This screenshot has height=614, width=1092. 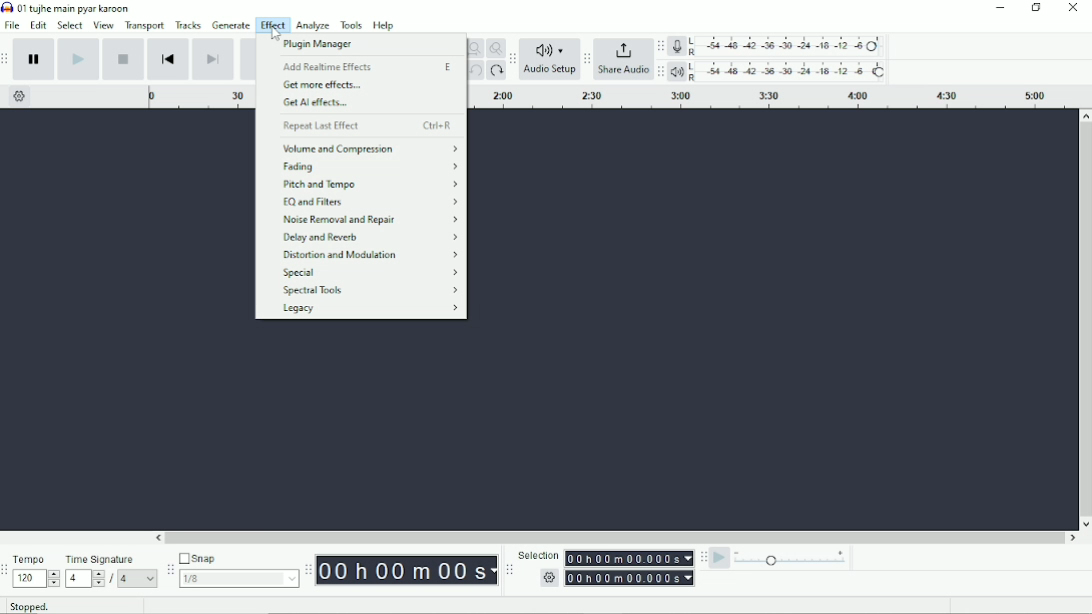 I want to click on Repeat Last Effect, so click(x=365, y=126).